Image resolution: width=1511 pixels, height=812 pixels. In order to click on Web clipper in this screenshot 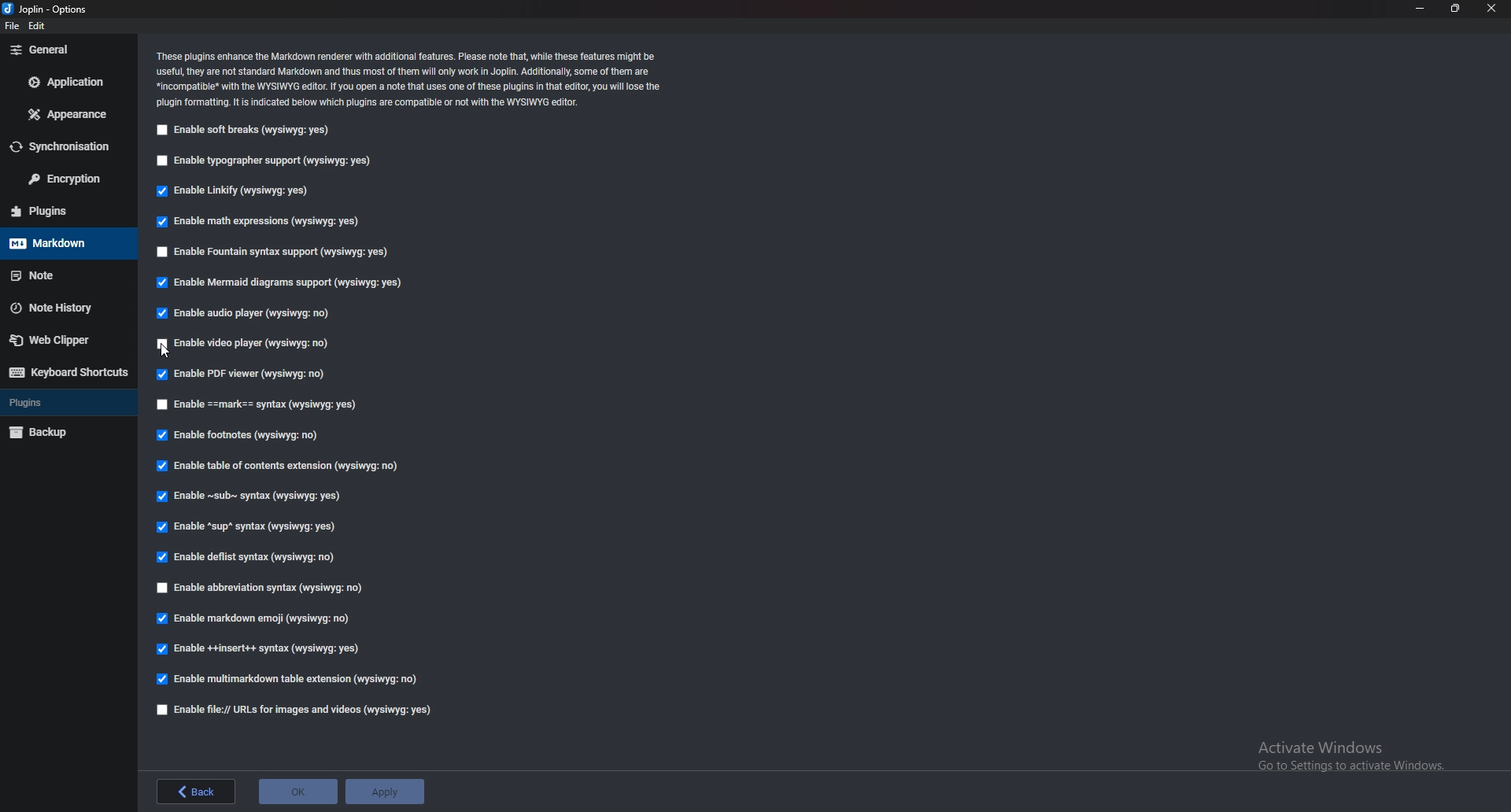, I will do `click(60, 342)`.